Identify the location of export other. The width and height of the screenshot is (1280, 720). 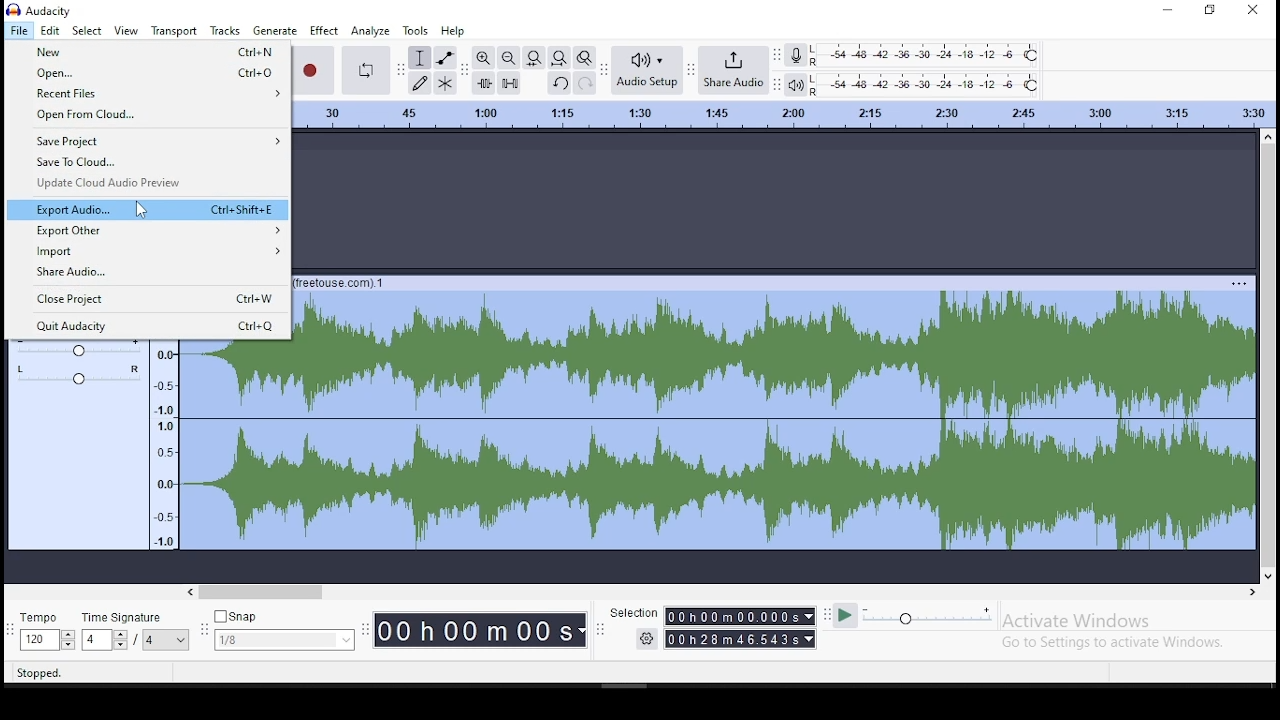
(148, 230).